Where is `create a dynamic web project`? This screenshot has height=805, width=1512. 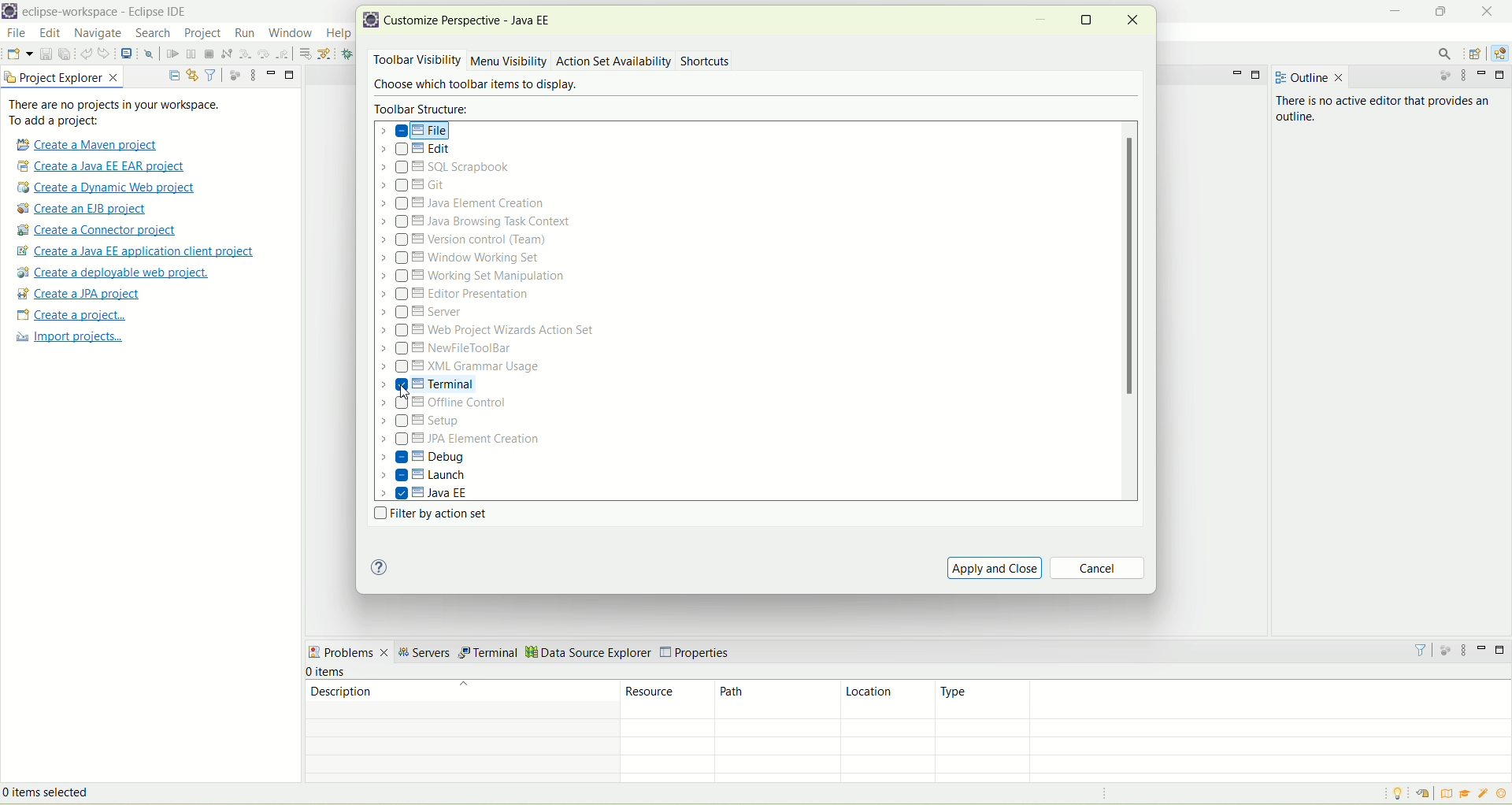 create a dynamic web project is located at coordinates (109, 187).